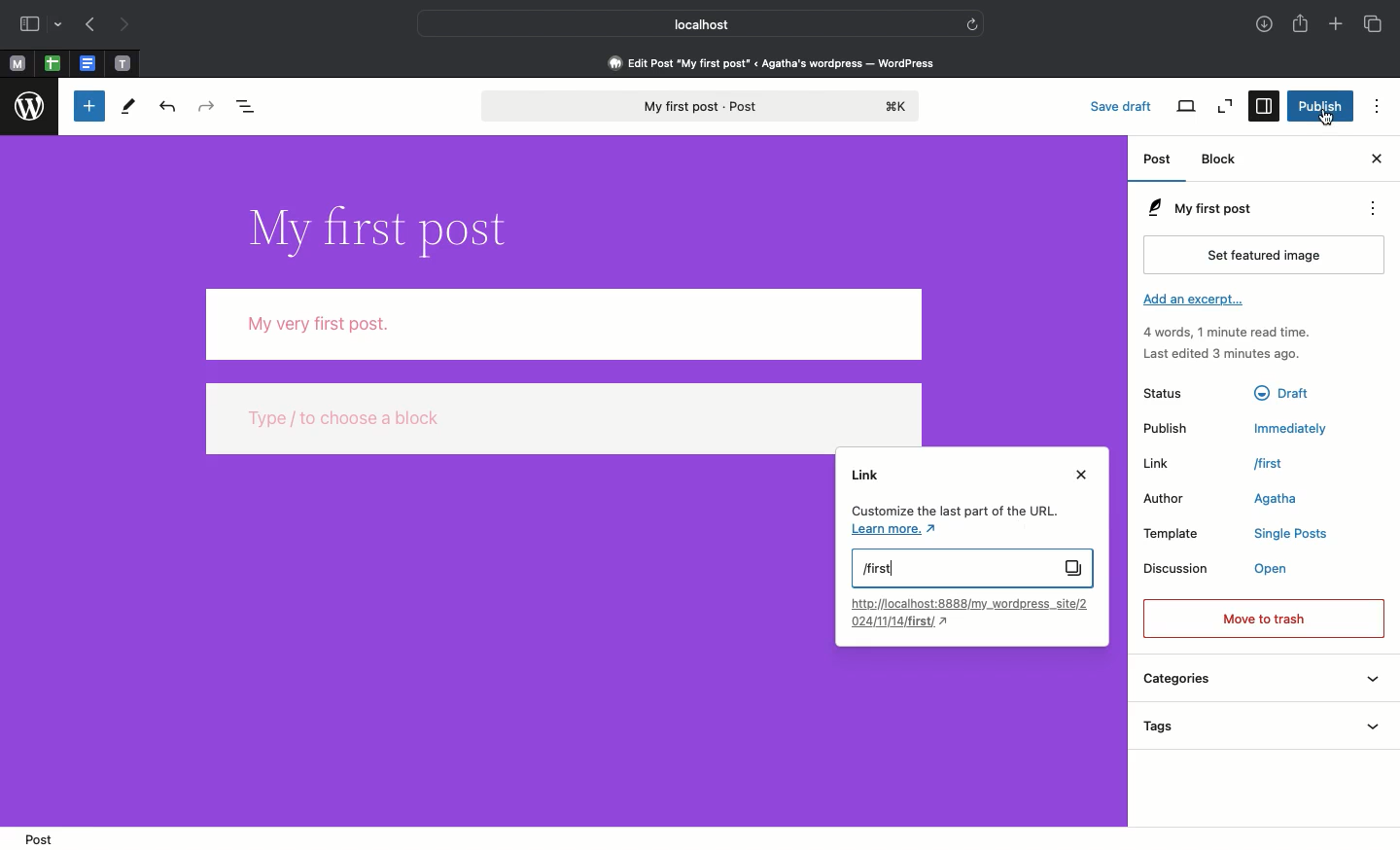 The width and height of the screenshot is (1400, 850). What do you see at coordinates (1302, 25) in the screenshot?
I see `Share` at bounding box center [1302, 25].